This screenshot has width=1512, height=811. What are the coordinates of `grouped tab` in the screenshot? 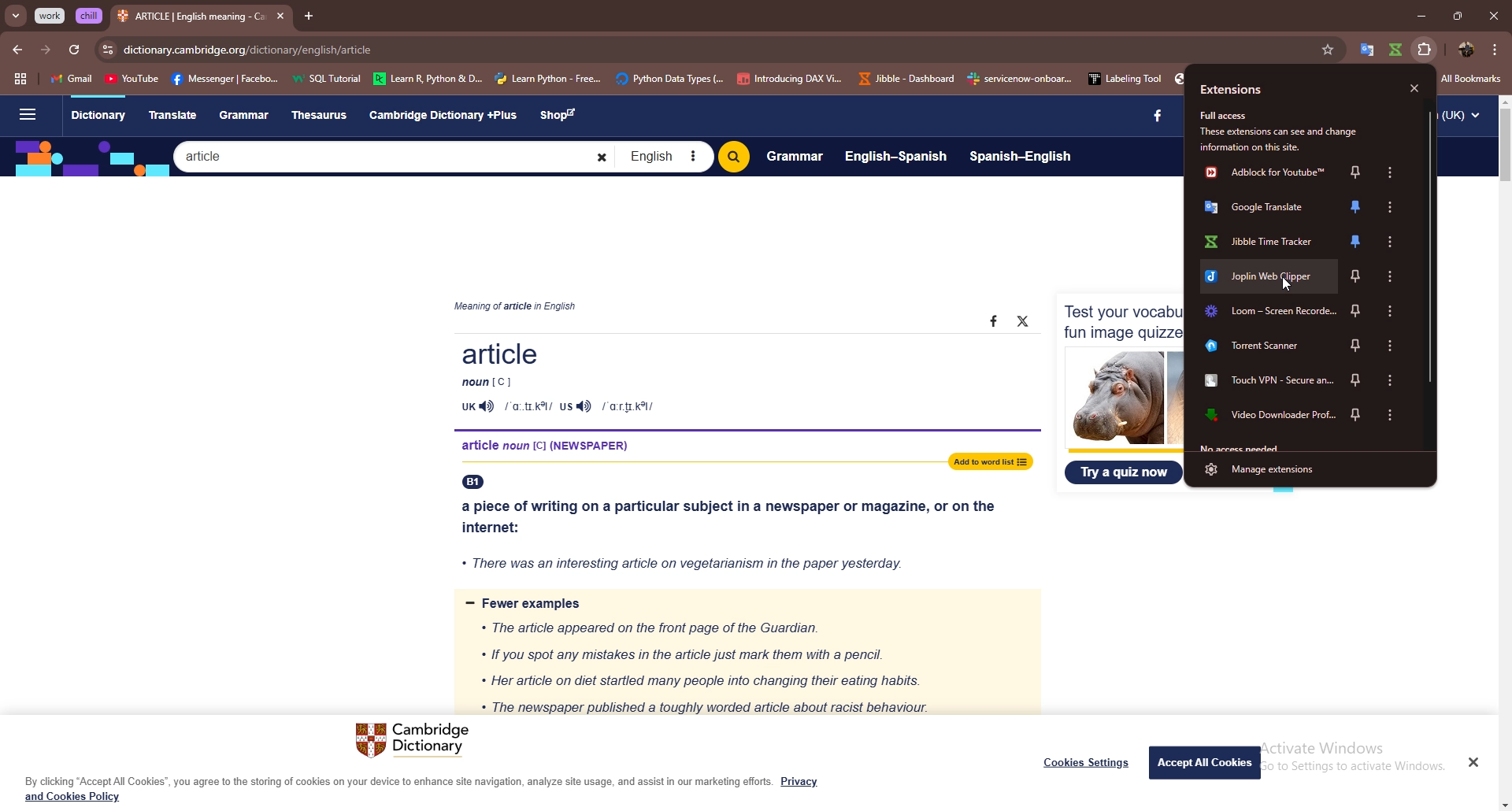 It's located at (90, 16).